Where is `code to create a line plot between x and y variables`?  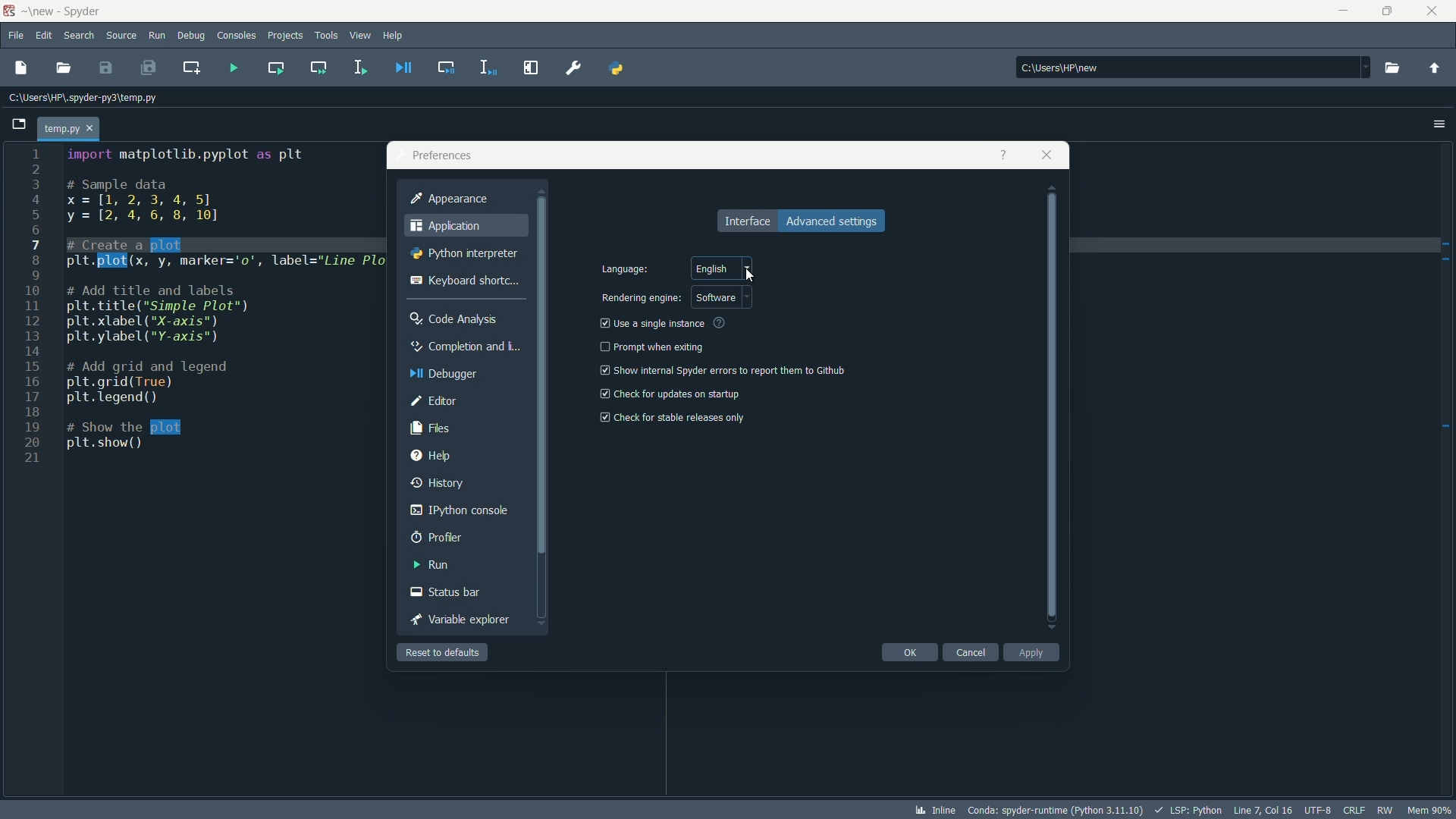 code to create a line plot between x and y variables is located at coordinates (208, 301).